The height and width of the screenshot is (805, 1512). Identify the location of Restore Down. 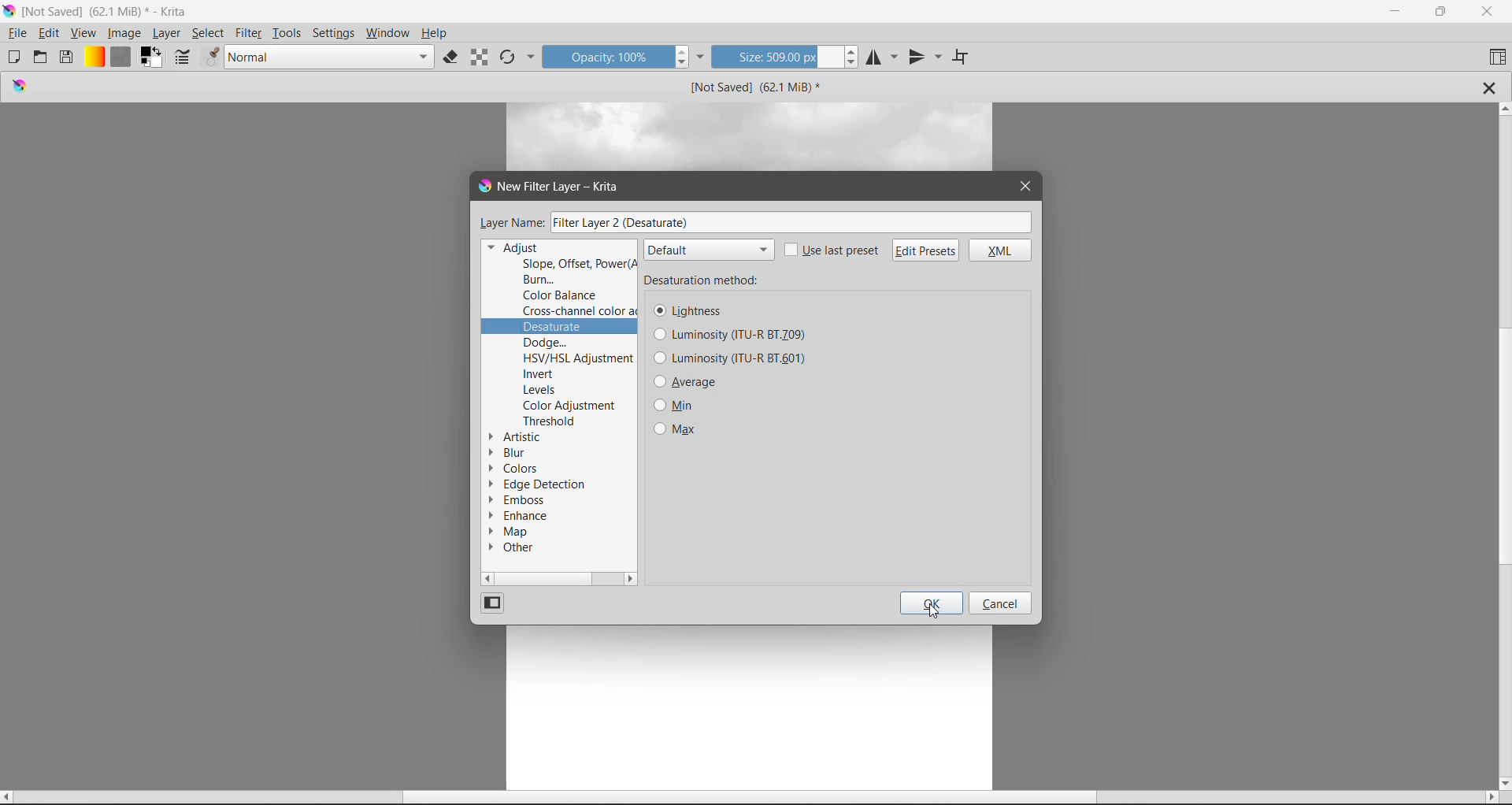
(1440, 12).